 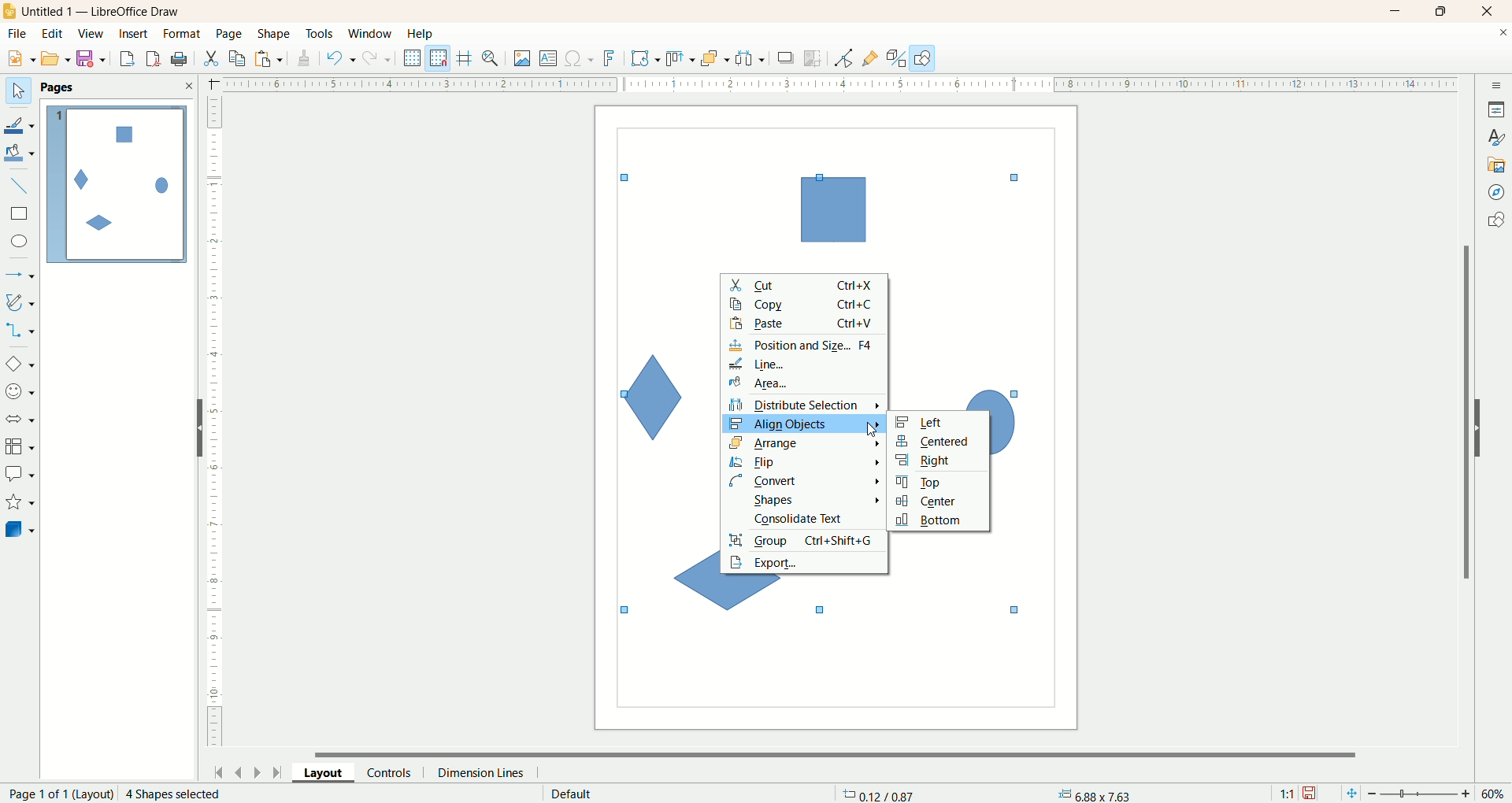 I want to click on previous page, so click(x=237, y=771).